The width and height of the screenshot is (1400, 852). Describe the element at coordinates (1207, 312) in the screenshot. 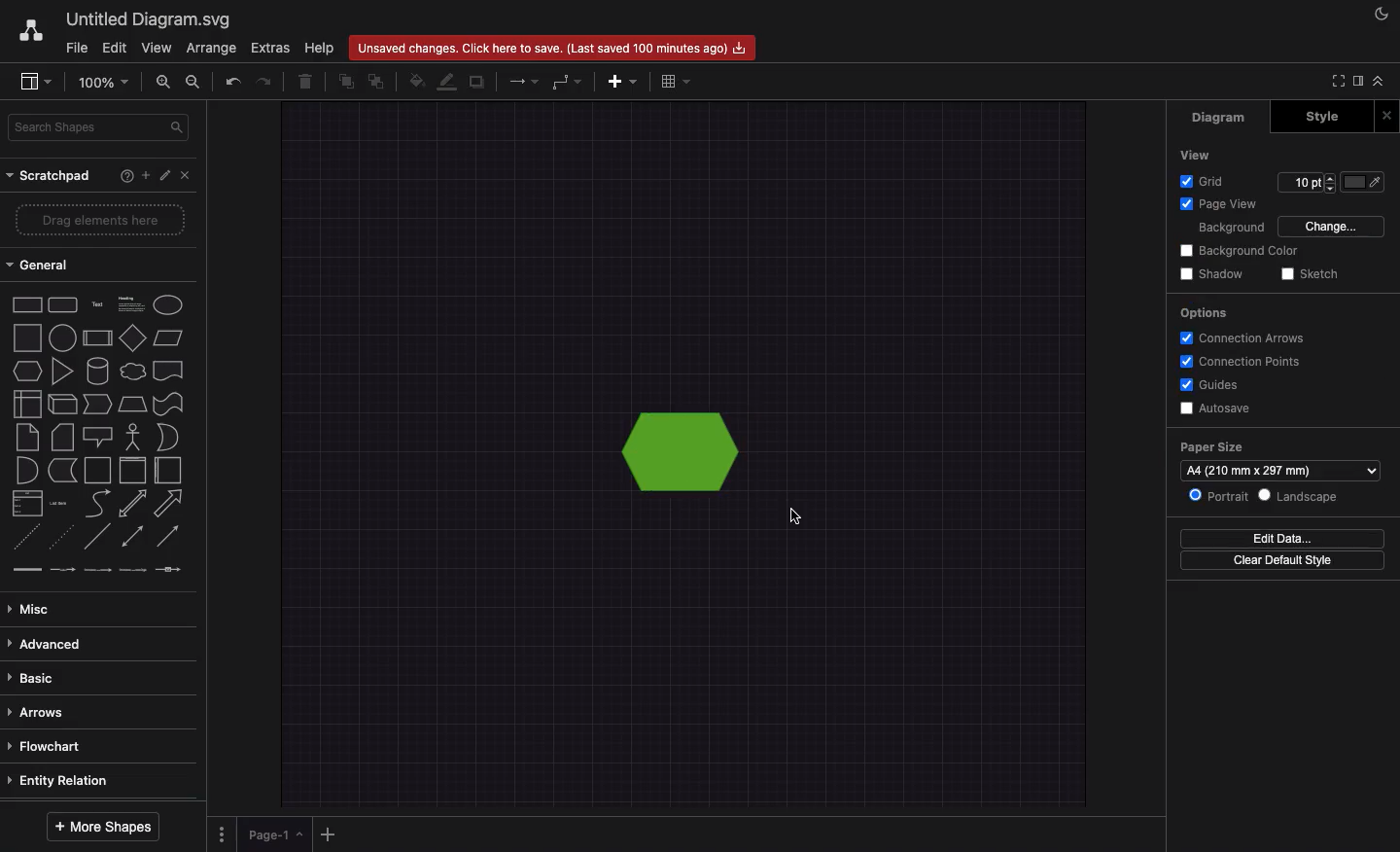

I see `Options` at that location.